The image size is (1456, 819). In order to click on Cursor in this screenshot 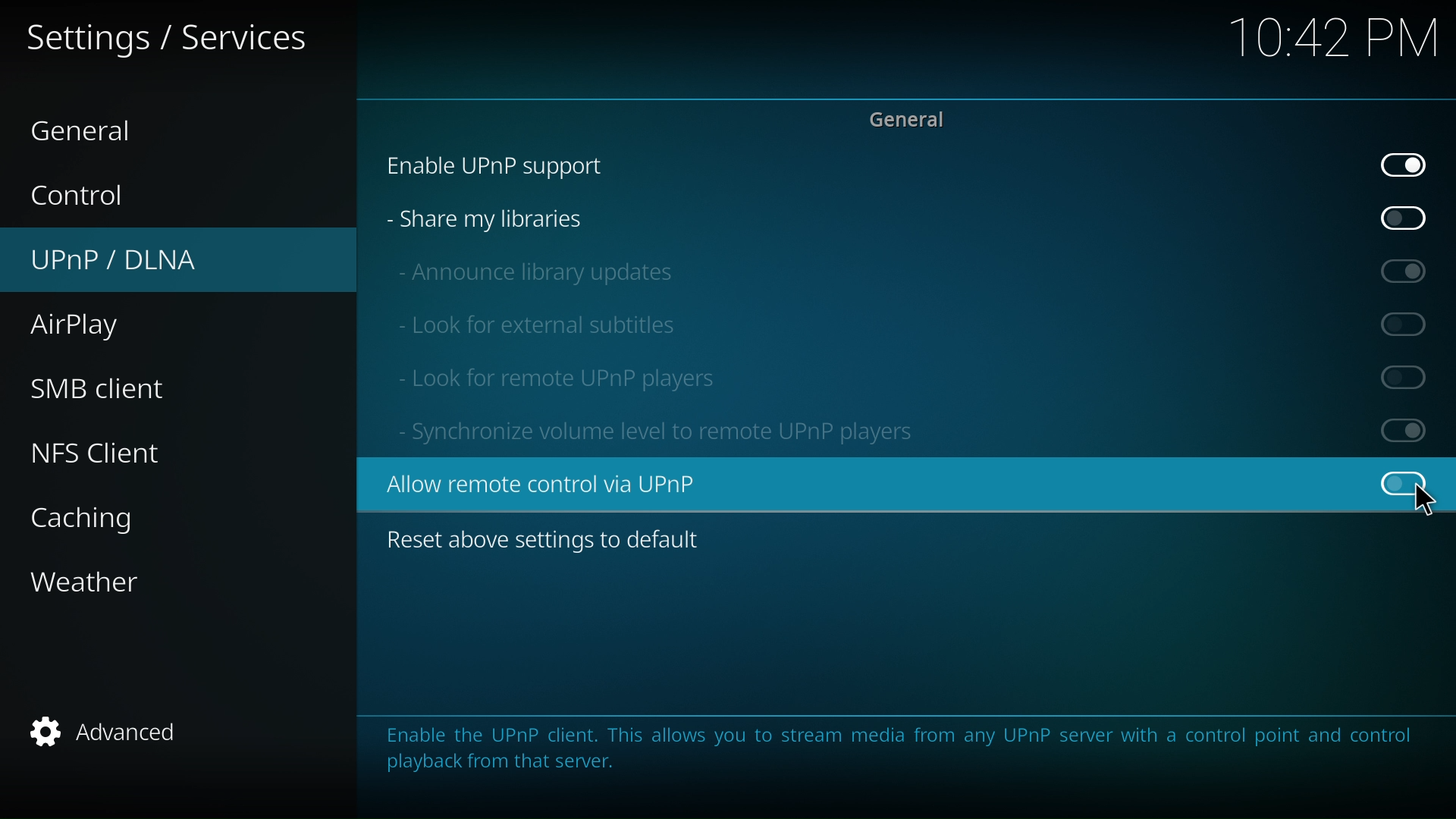, I will do `click(1412, 501)`.